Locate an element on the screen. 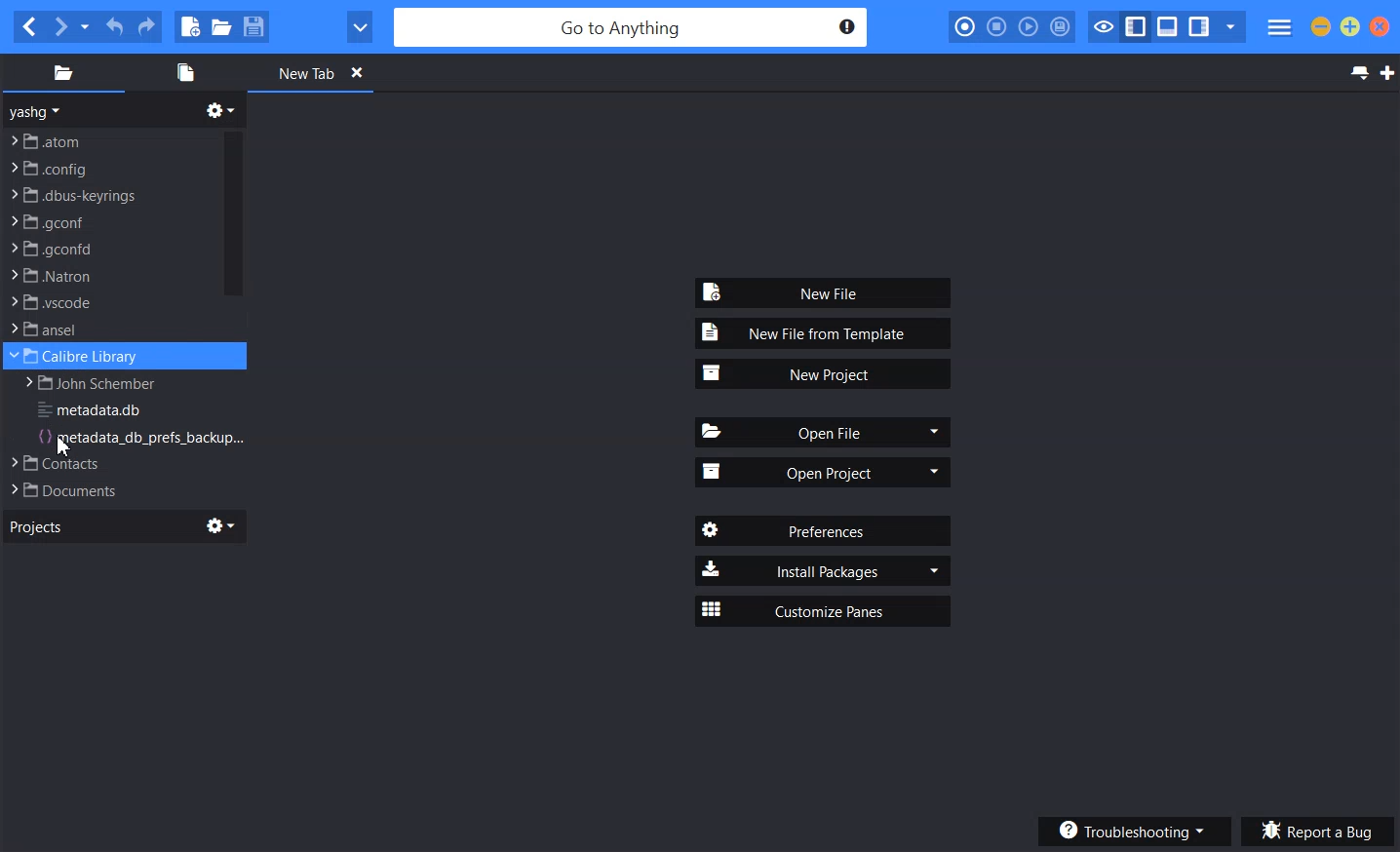 This screenshot has width=1400, height=852. Go back one location is located at coordinates (28, 27).